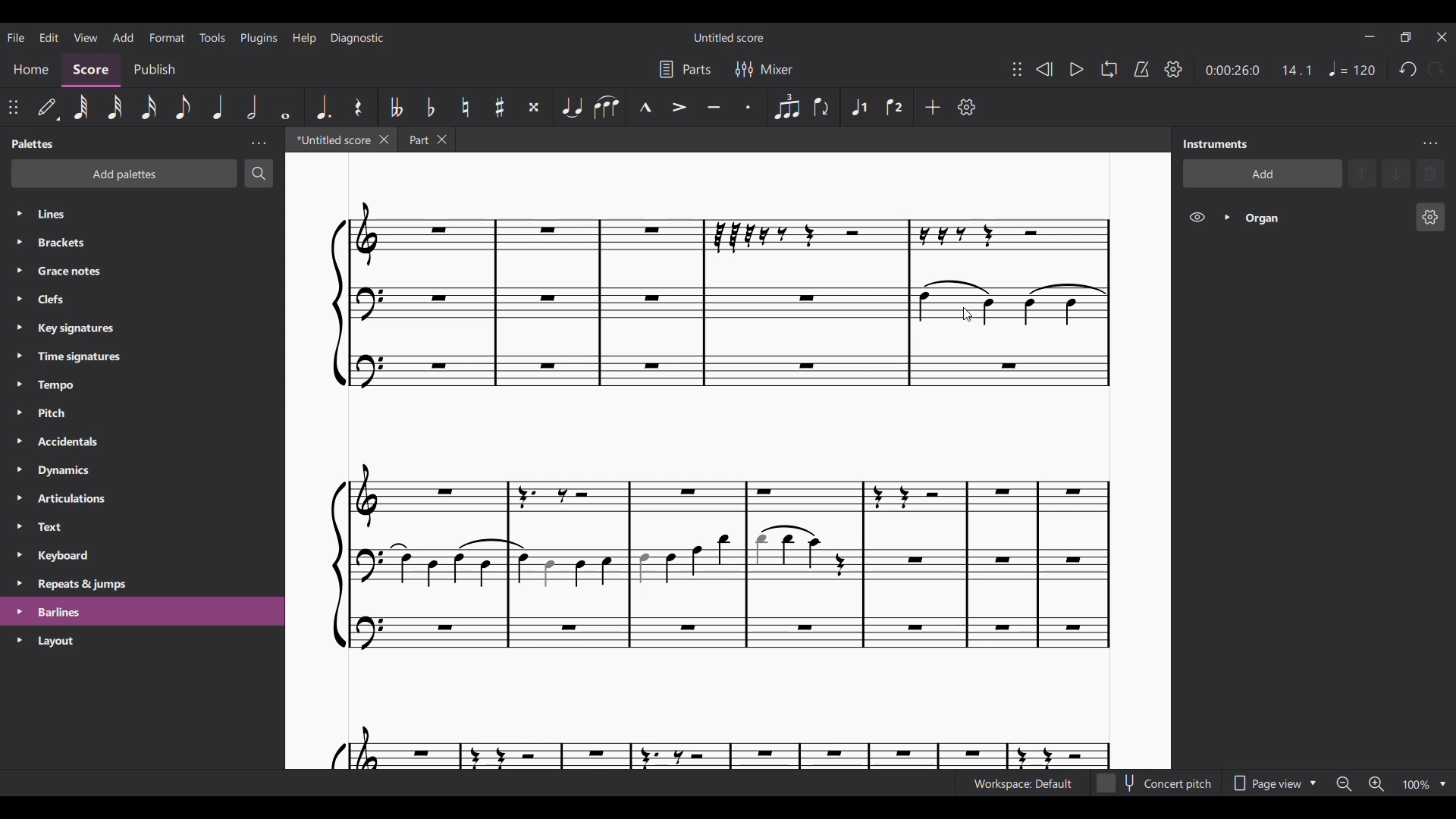  I want to click on Rewind, so click(1043, 69).